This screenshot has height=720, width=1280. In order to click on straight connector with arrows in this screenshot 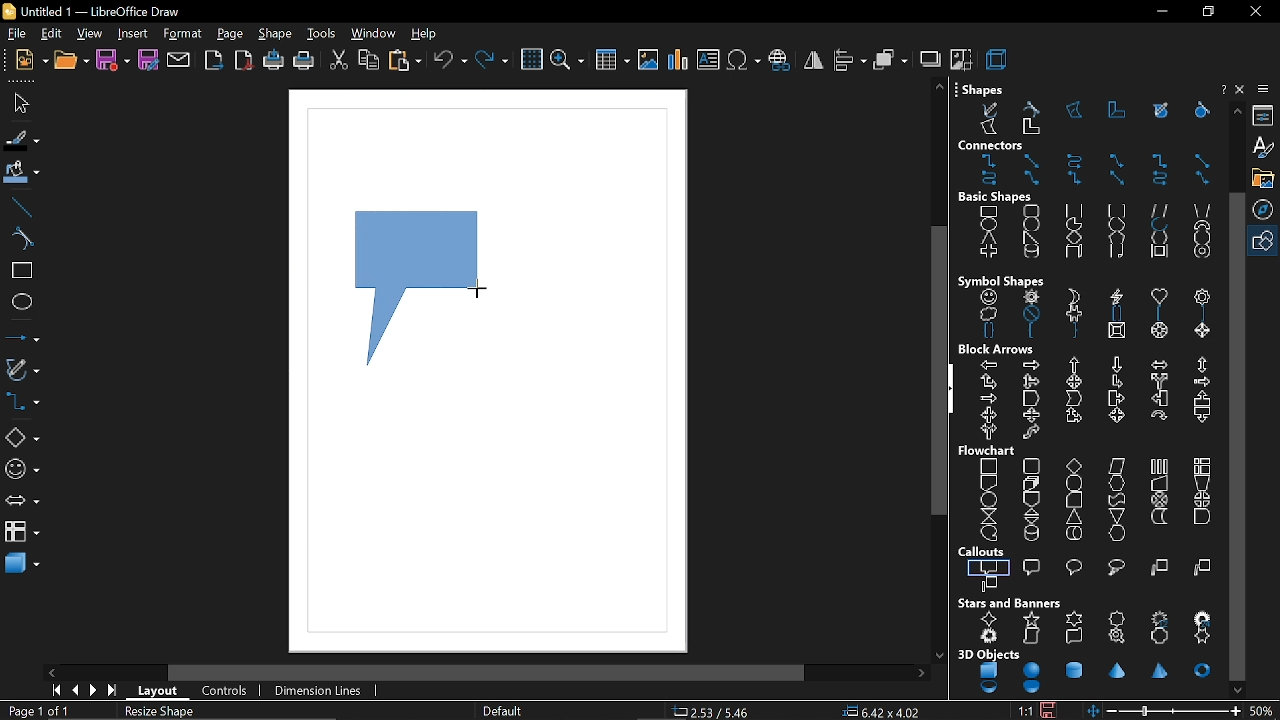, I will do `click(1119, 180)`.